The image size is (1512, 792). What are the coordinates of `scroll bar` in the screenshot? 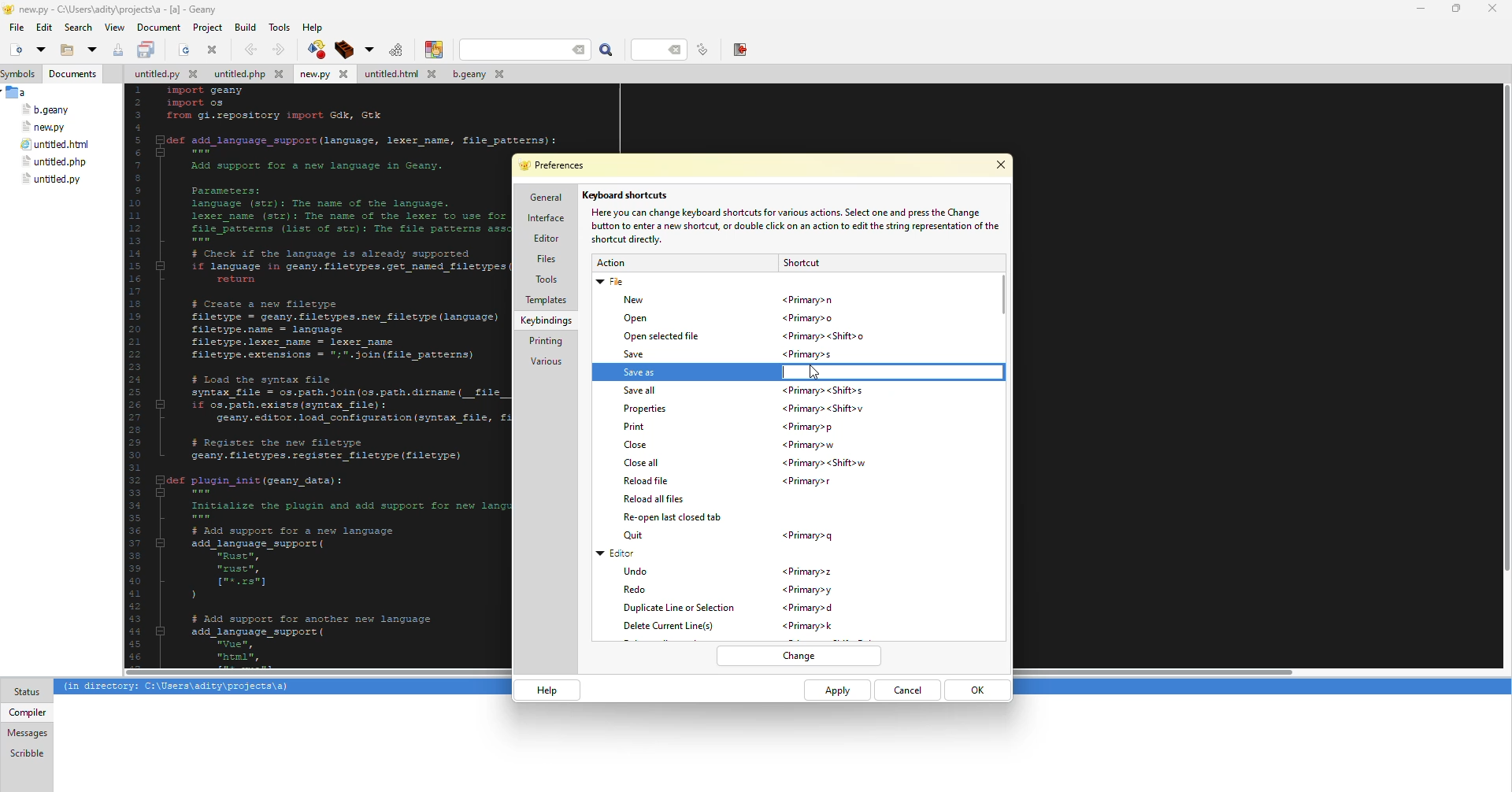 It's located at (1003, 287).